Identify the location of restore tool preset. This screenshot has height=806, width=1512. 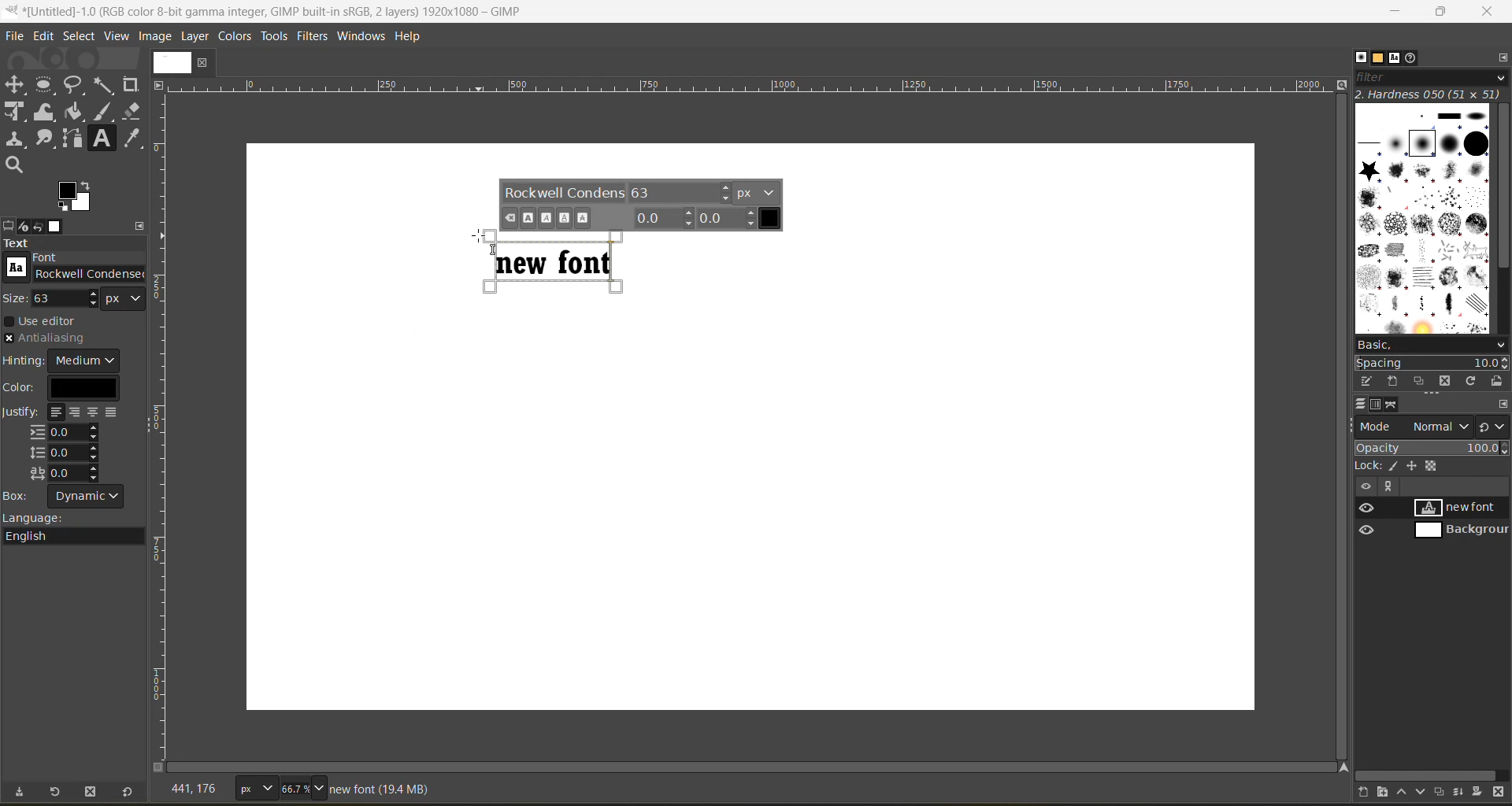
(57, 793).